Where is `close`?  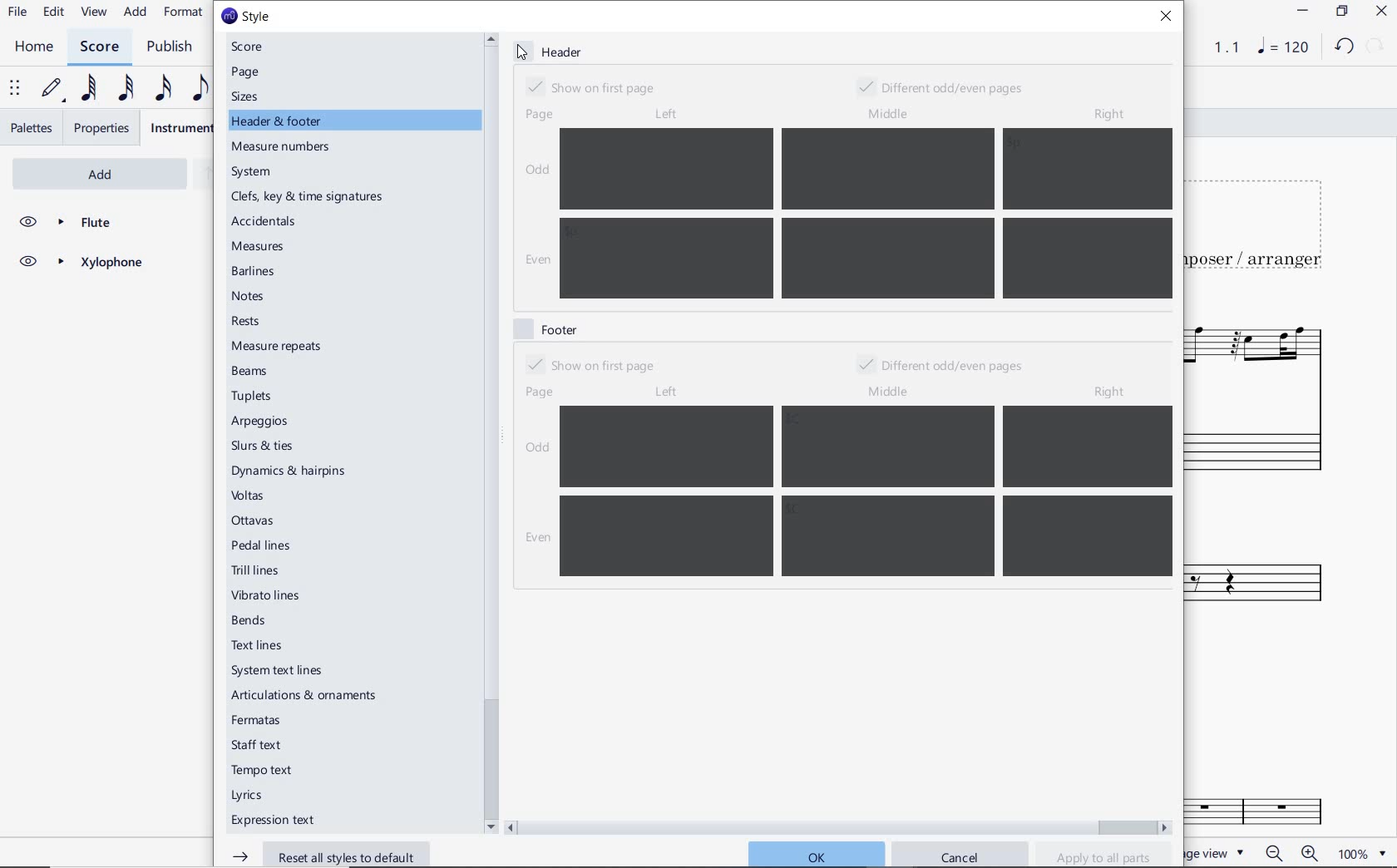 close is located at coordinates (1170, 18).